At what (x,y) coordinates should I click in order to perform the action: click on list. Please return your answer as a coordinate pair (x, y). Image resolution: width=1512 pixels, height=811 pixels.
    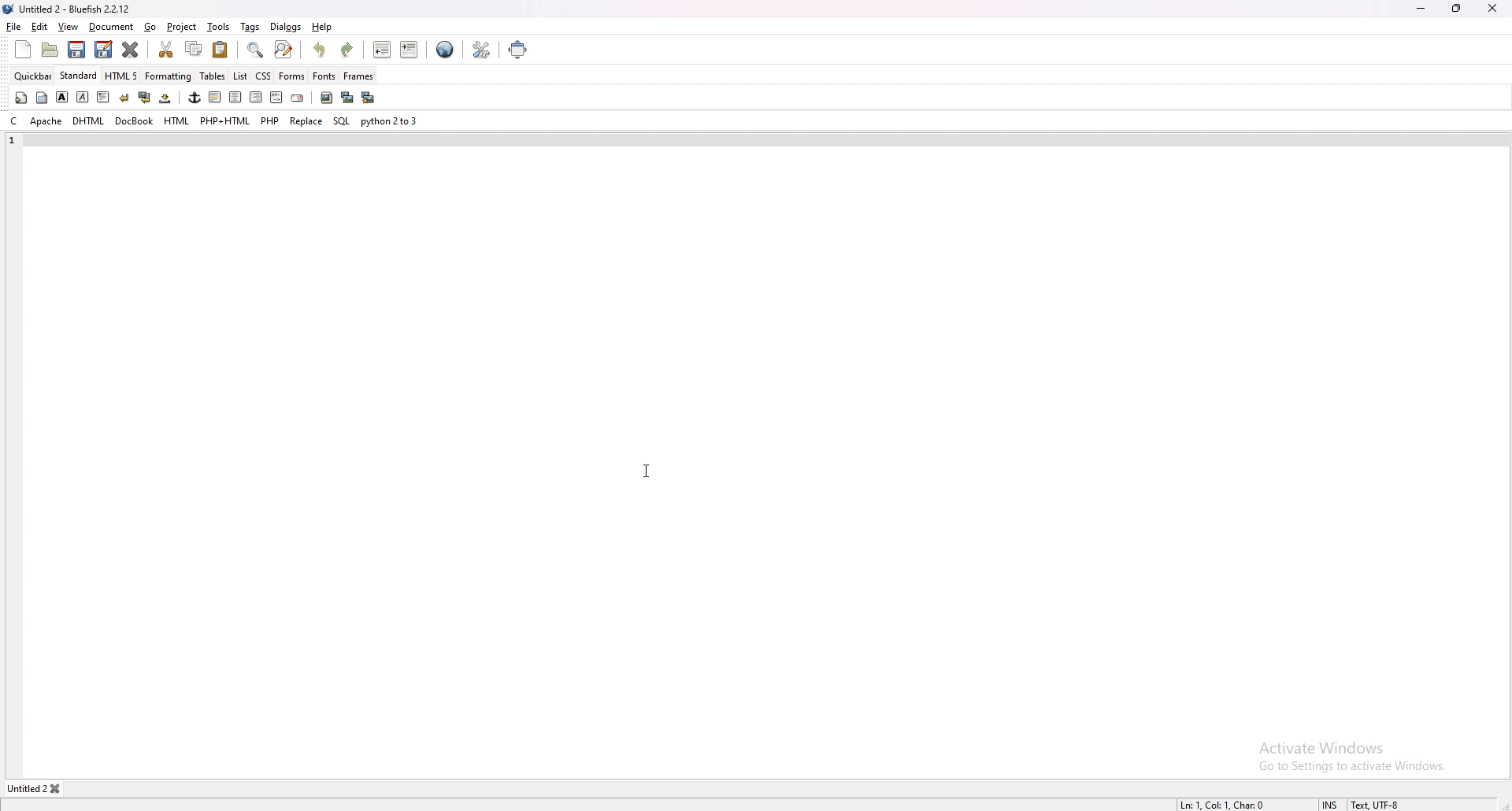
    Looking at the image, I should click on (240, 76).